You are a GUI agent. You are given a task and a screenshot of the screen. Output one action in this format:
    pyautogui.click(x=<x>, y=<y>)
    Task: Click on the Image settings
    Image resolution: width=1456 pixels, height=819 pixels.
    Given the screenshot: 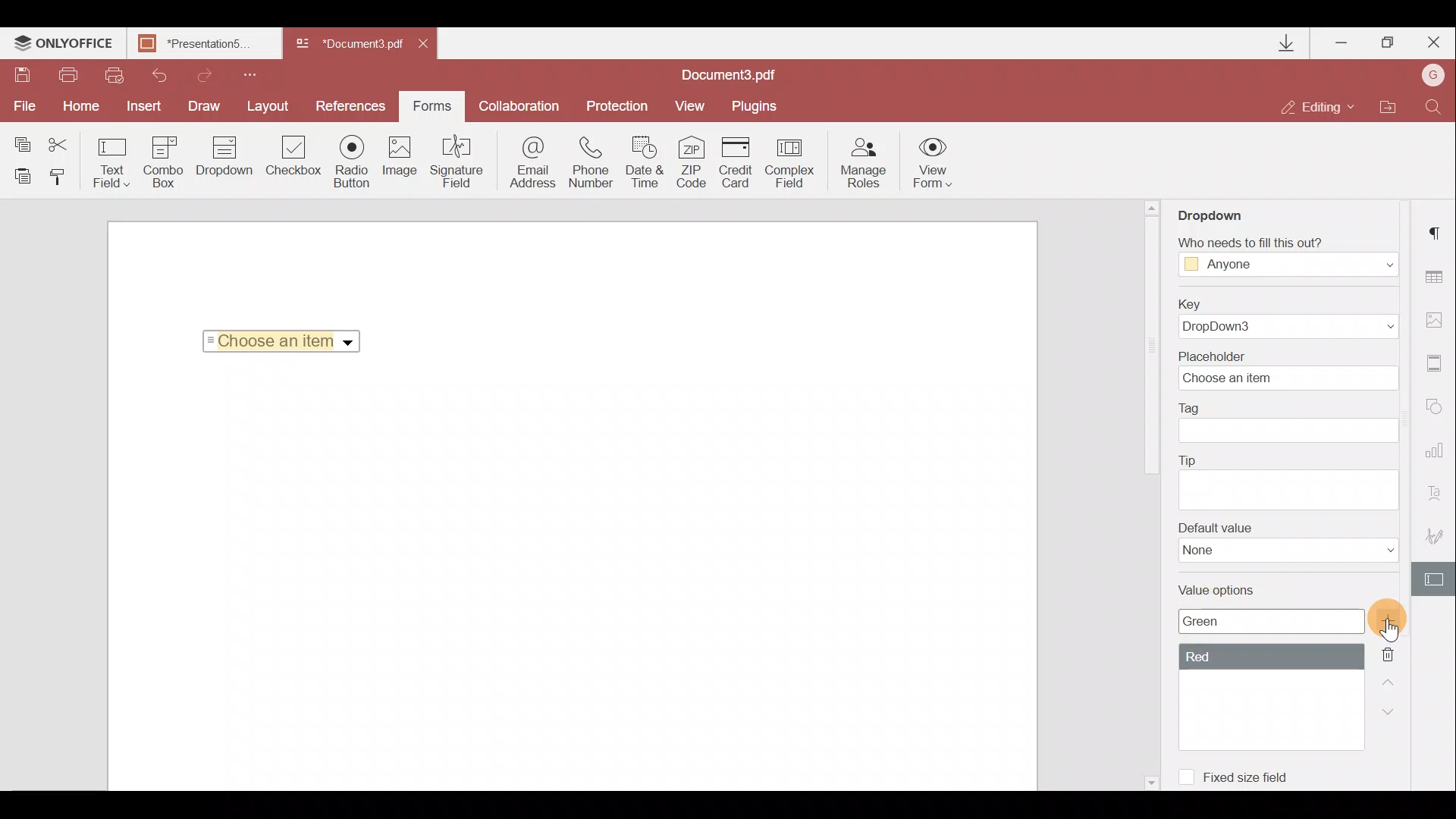 What is the action you would take?
    pyautogui.click(x=1439, y=319)
    